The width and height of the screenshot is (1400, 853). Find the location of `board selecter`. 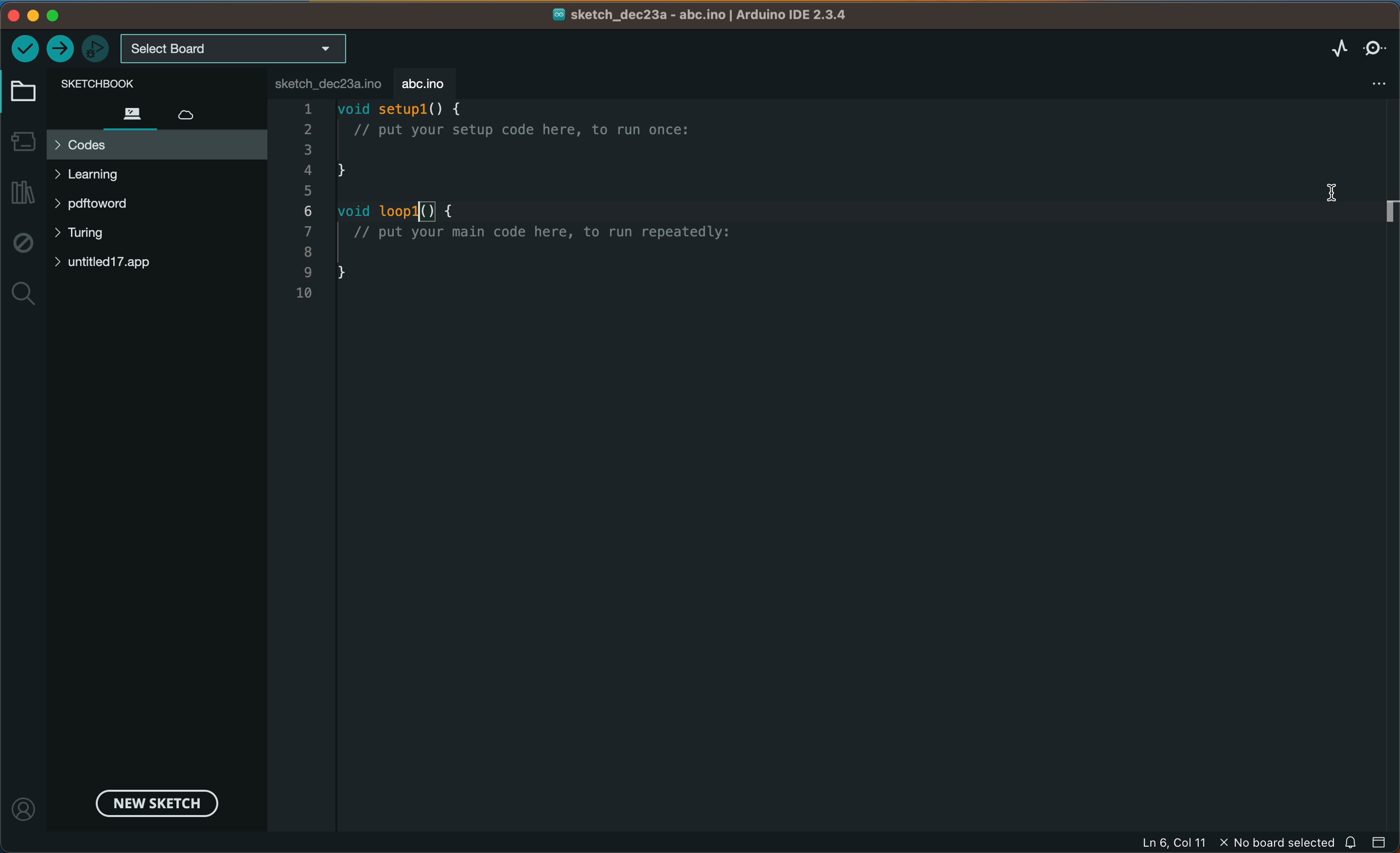

board selecter is located at coordinates (236, 49).